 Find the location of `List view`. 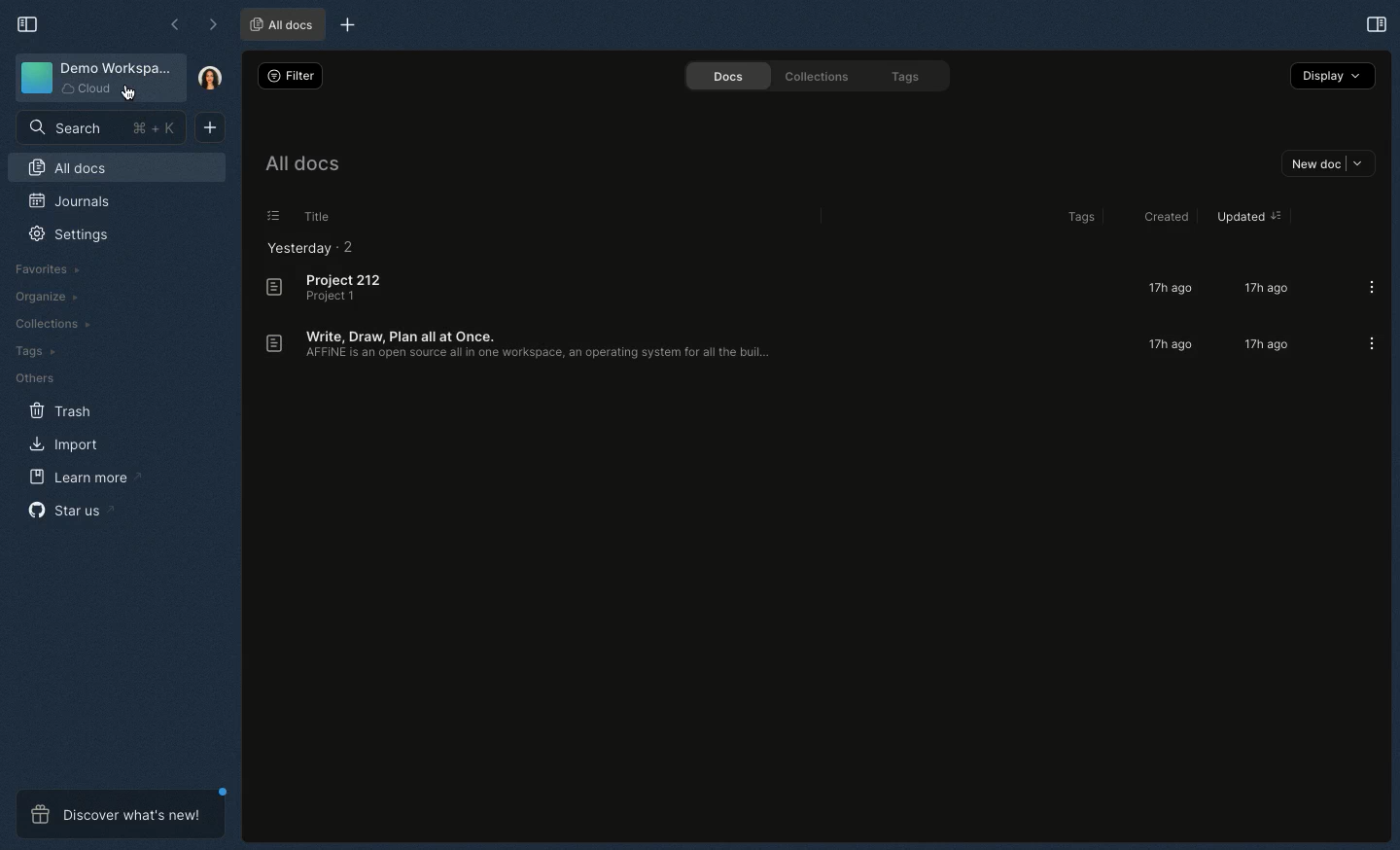

List view is located at coordinates (274, 215).